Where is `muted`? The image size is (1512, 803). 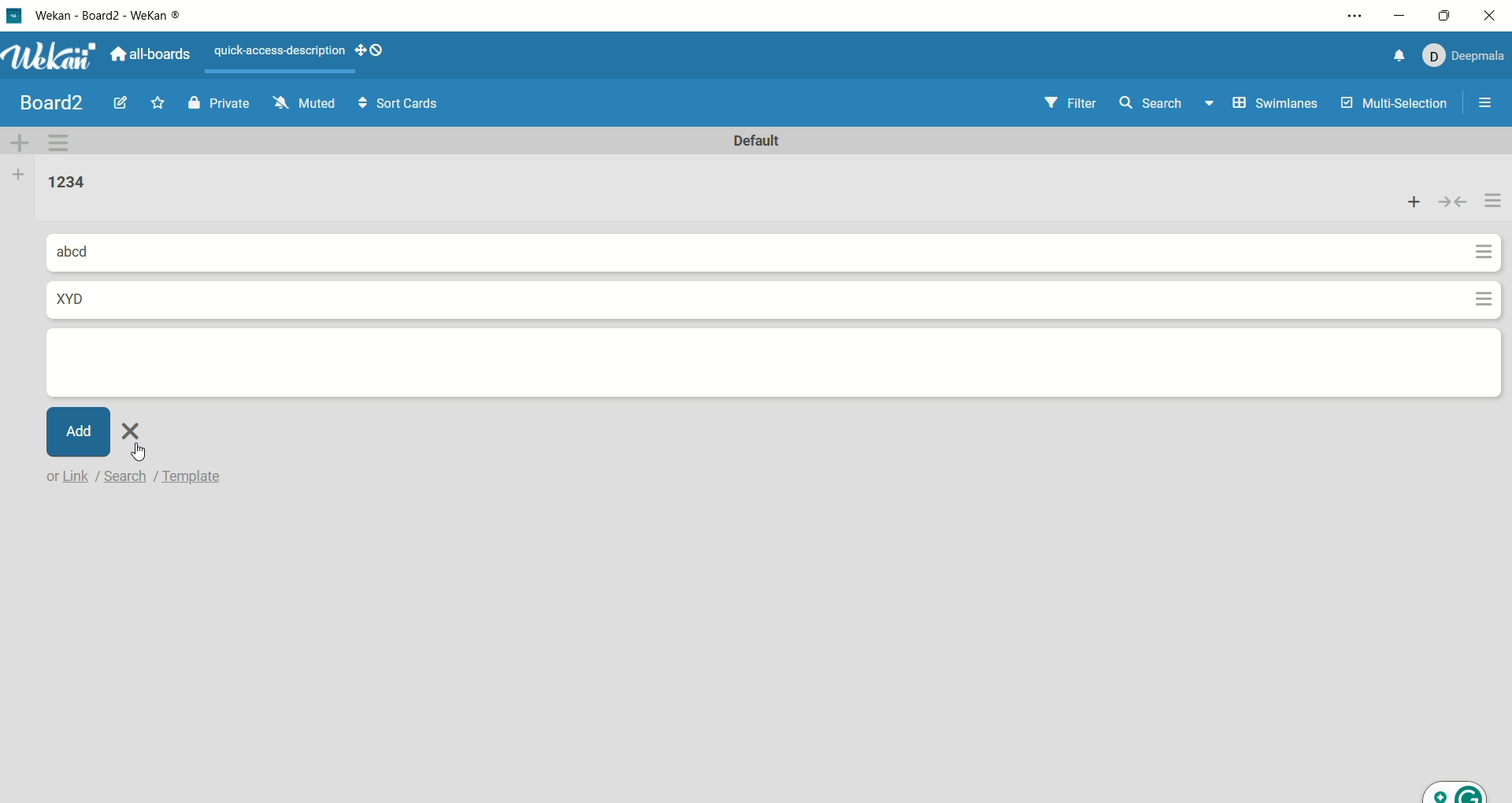 muted is located at coordinates (310, 102).